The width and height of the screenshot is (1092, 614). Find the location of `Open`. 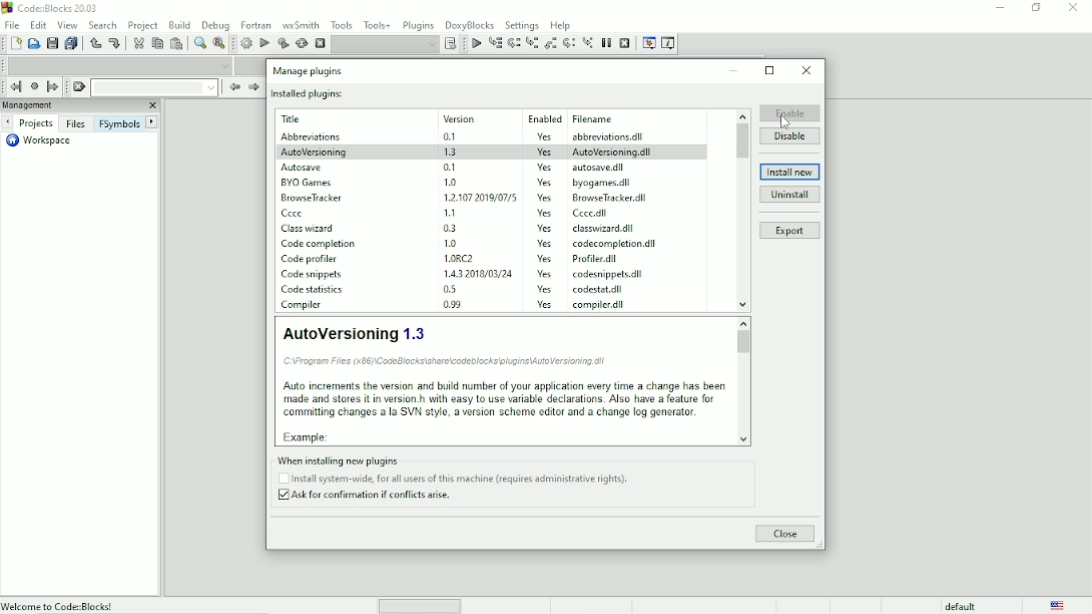

Open is located at coordinates (33, 44).